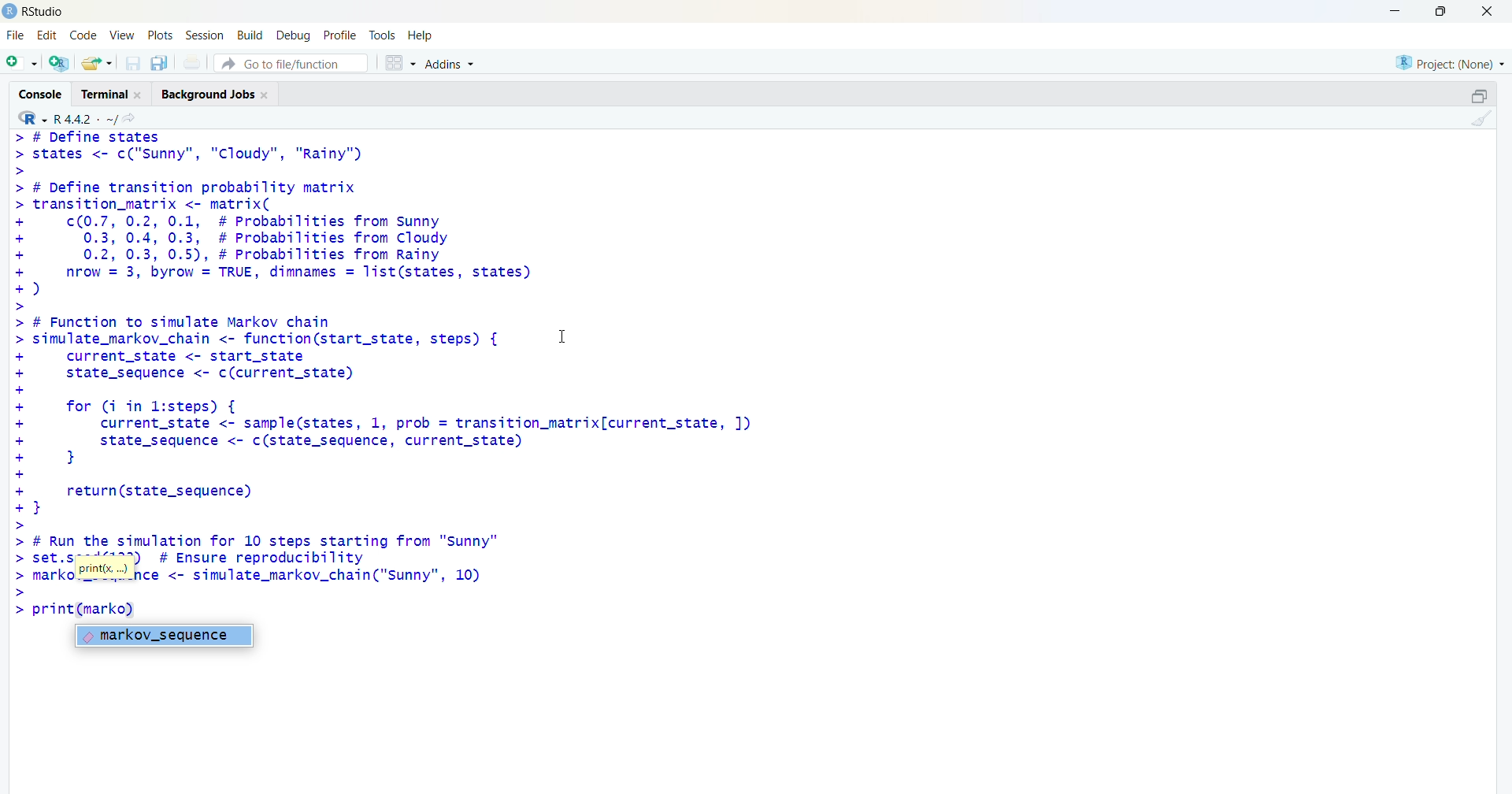 This screenshot has width=1512, height=794. What do you see at coordinates (86, 33) in the screenshot?
I see `code` at bounding box center [86, 33].